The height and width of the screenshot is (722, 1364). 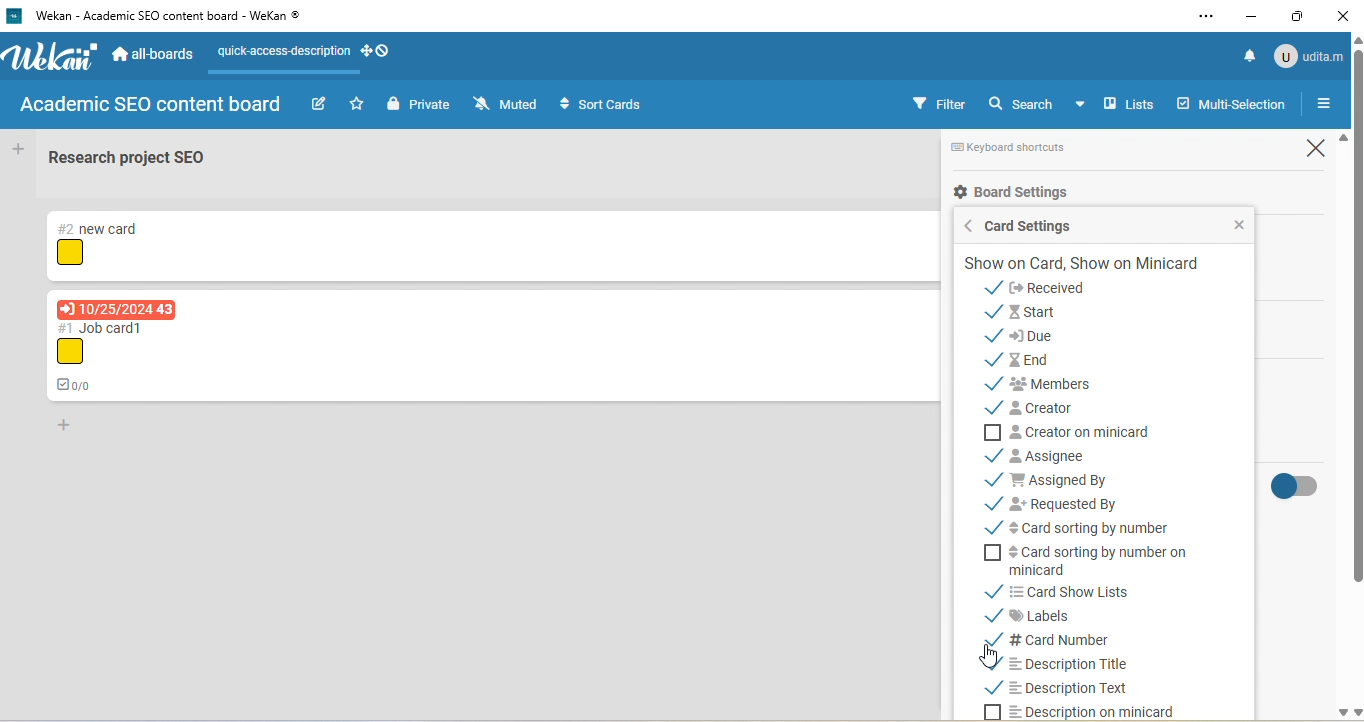 I want to click on creator on minicard, so click(x=1090, y=432).